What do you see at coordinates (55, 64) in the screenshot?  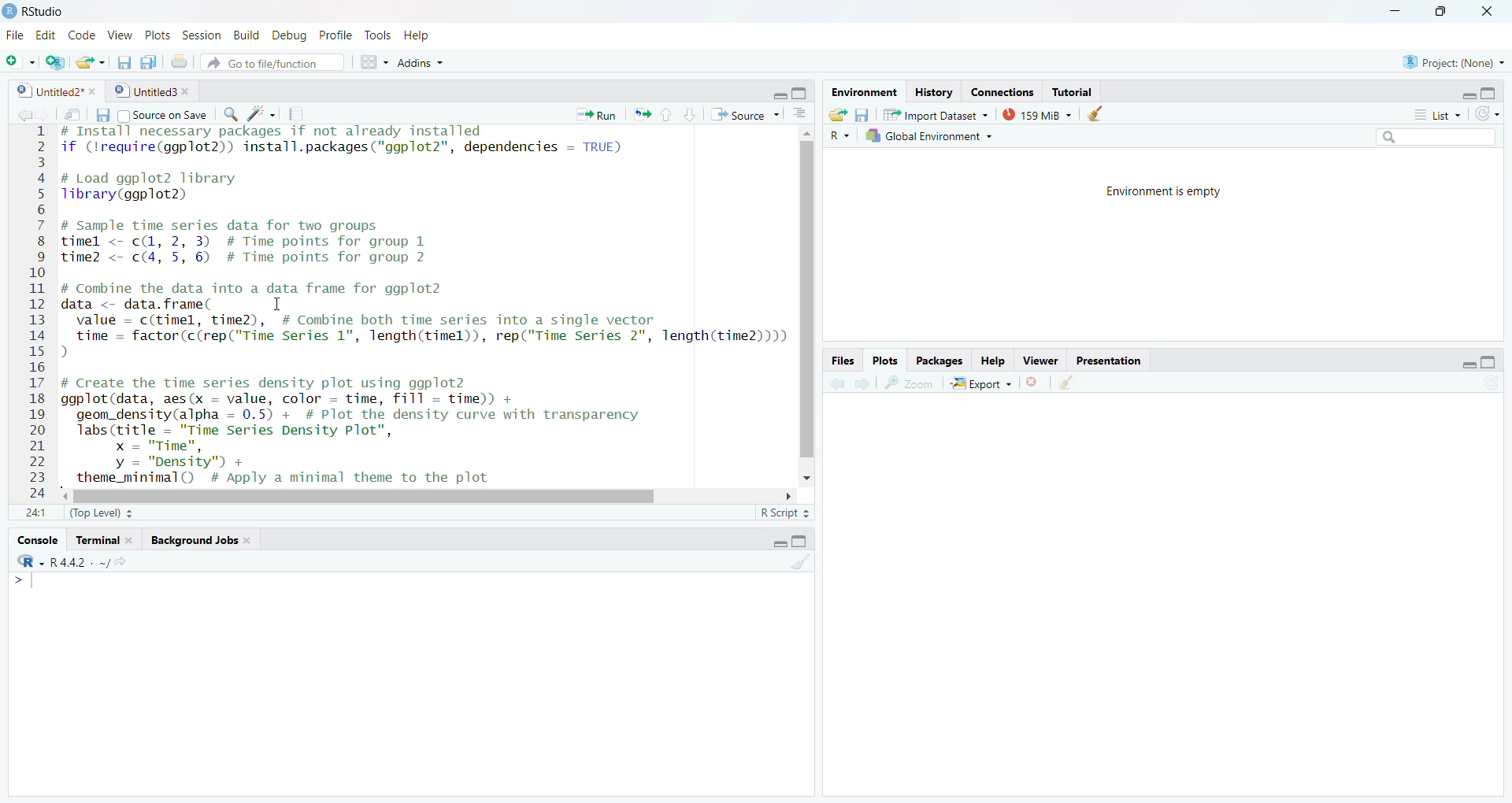 I see `Create a project` at bounding box center [55, 64].